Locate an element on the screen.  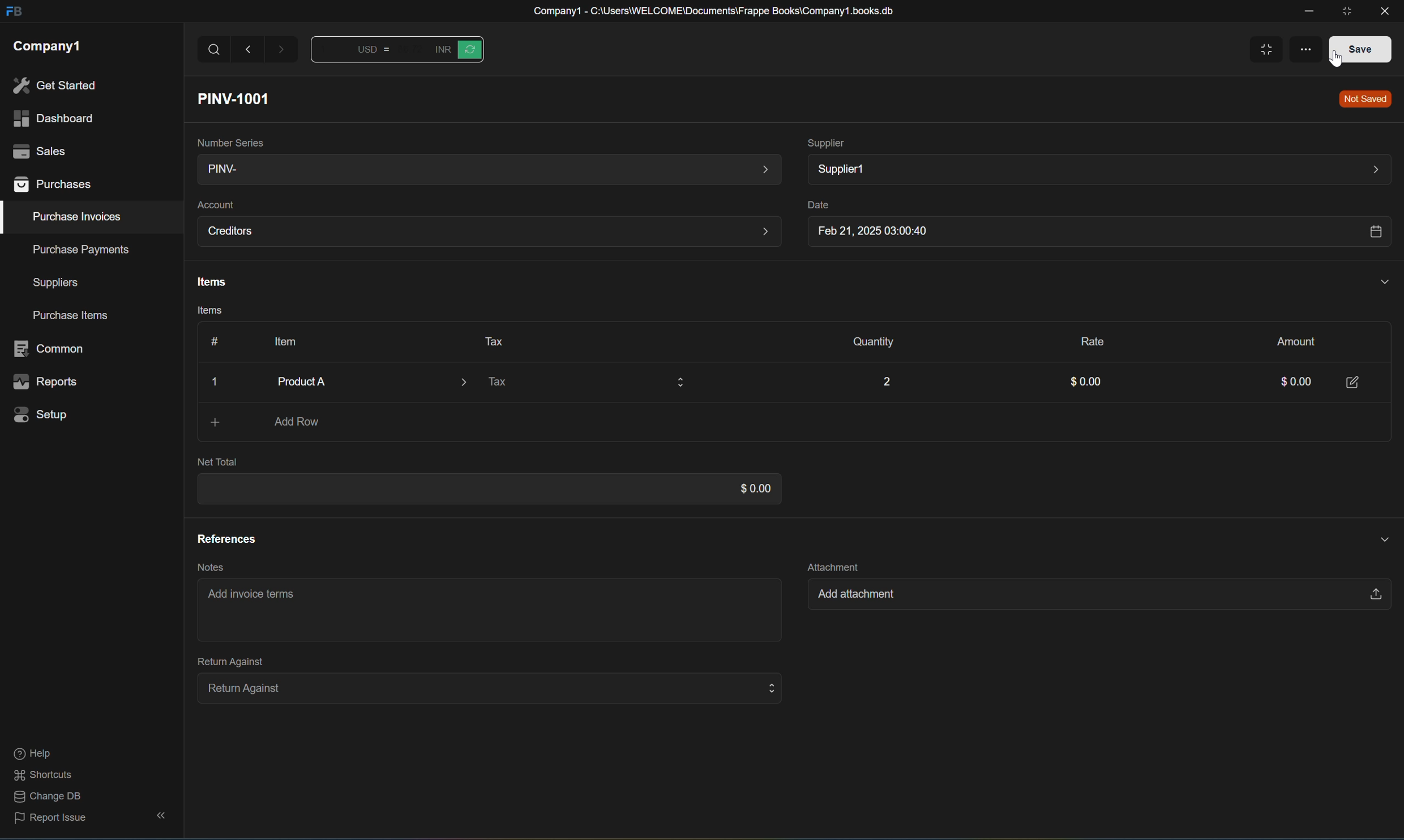
shortcuts is located at coordinates (44, 775).